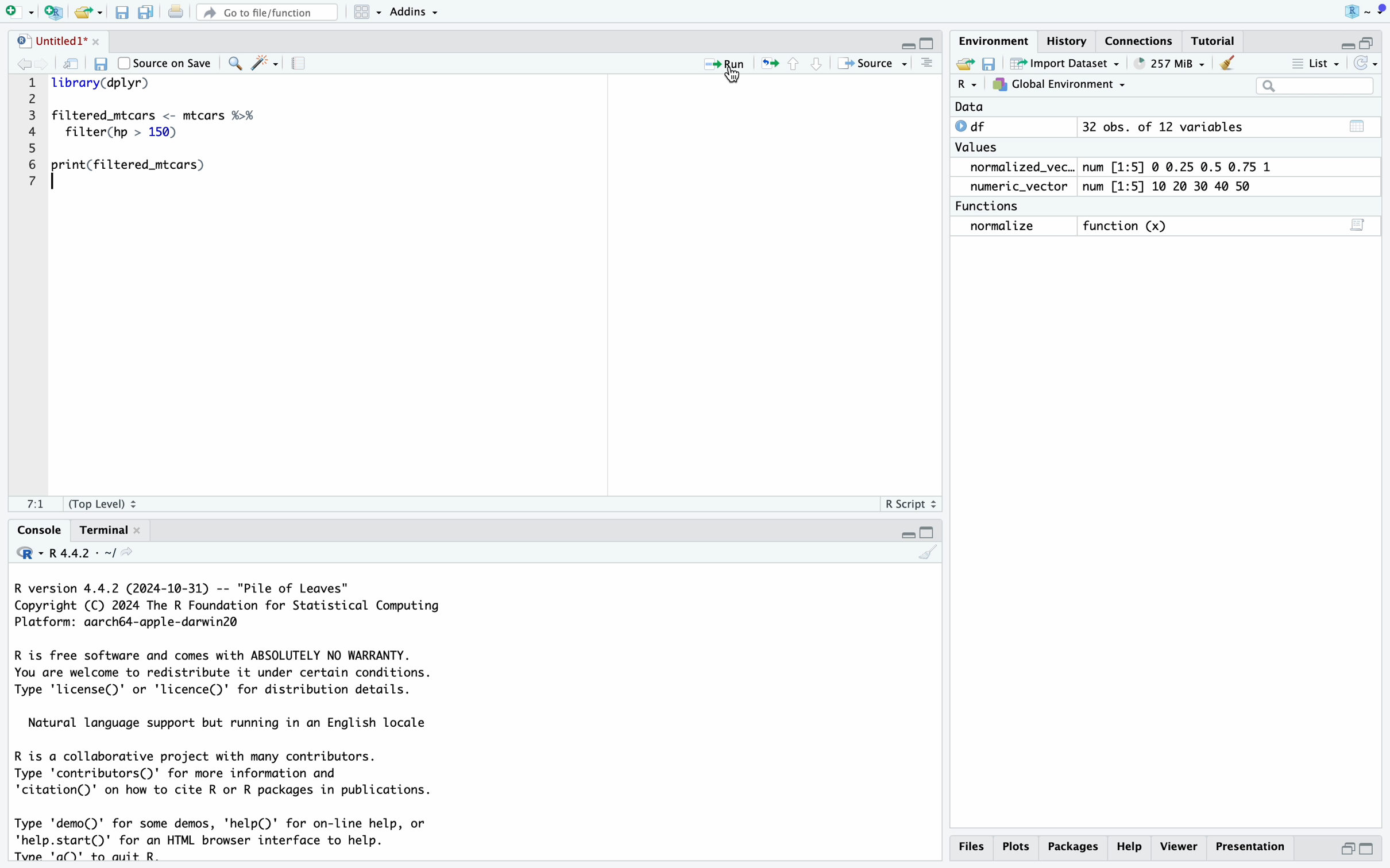 Image resolution: width=1390 pixels, height=868 pixels. What do you see at coordinates (1067, 41) in the screenshot?
I see `History` at bounding box center [1067, 41].